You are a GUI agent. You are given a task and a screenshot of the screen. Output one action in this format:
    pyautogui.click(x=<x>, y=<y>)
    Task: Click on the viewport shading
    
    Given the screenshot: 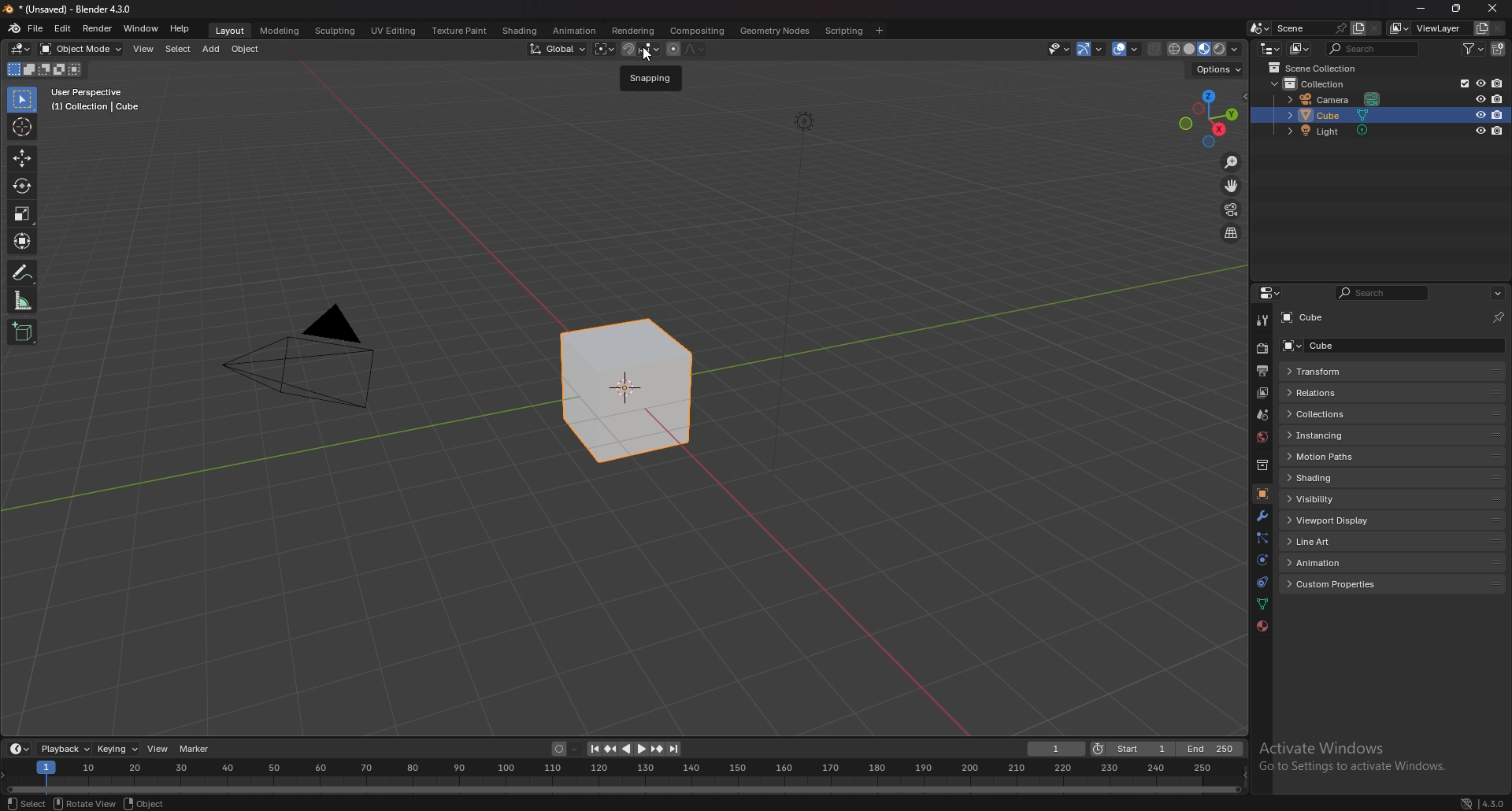 What is the action you would take?
    pyautogui.click(x=1206, y=48)
    